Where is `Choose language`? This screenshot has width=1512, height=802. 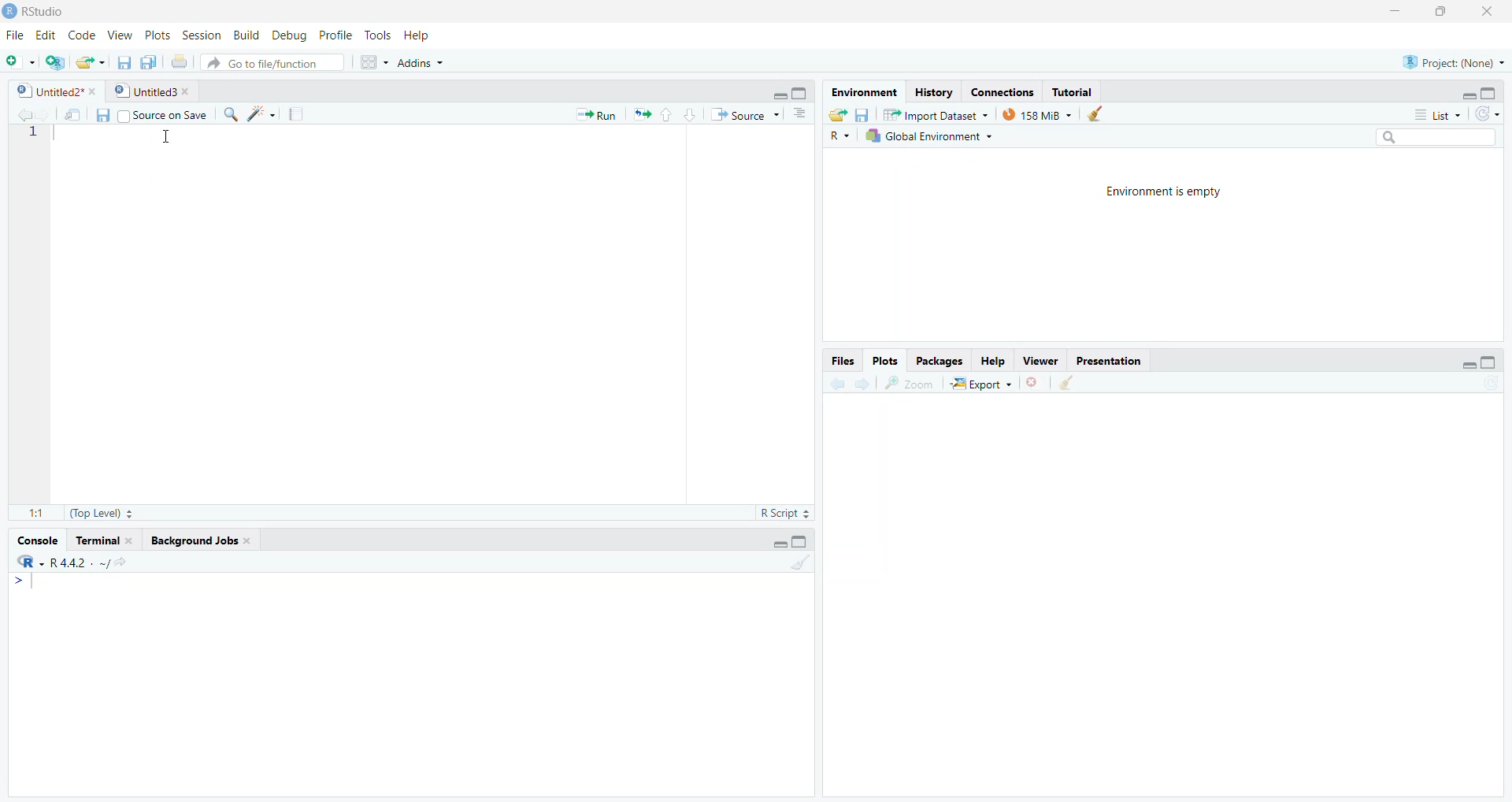 Choose language is located at coordinates (840, 135).